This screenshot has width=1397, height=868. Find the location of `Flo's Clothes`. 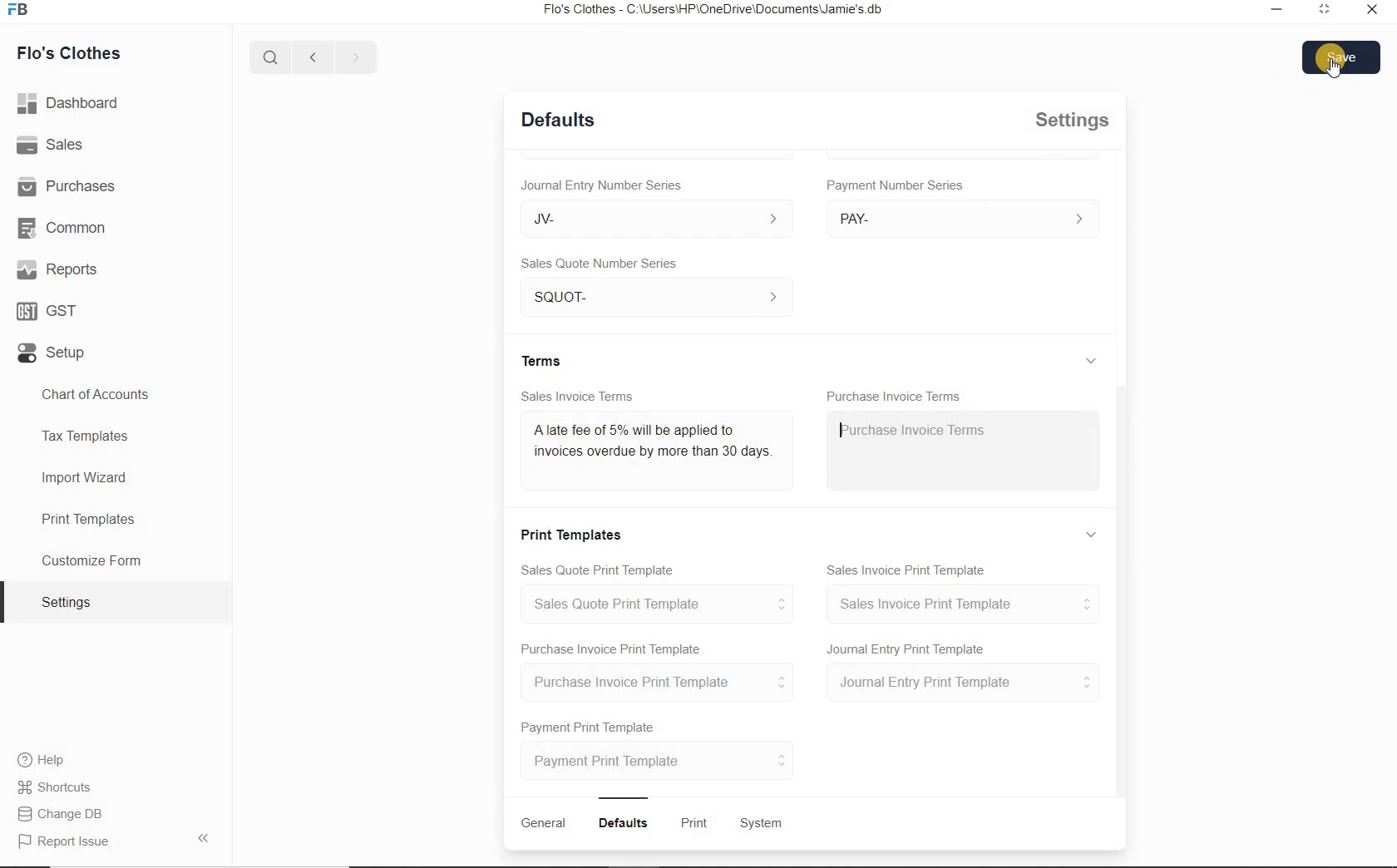

Flo's Clothes is located at coordinates (71, 52).